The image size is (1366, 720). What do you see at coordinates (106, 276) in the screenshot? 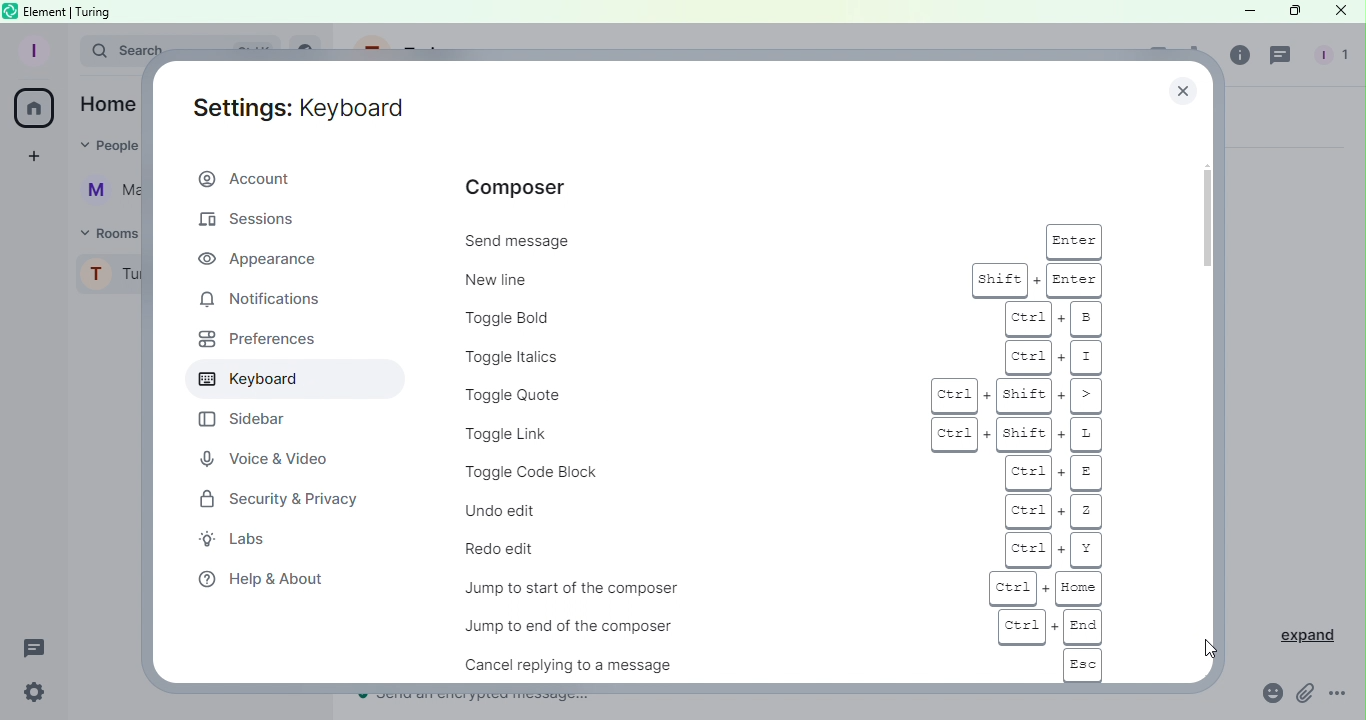
I see `Profile` at bounding box center [106, 276].